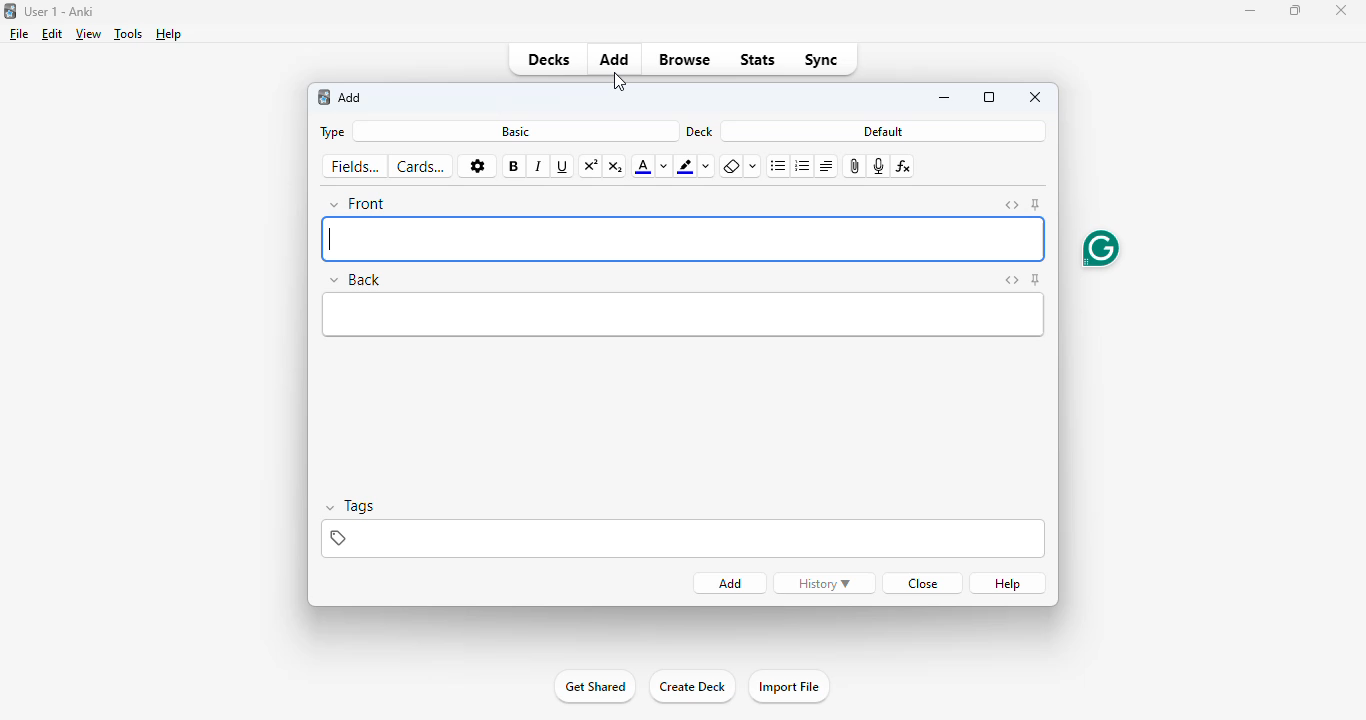 This screenshot has width=1366, height=720. I want to click on deck, so click(700, 131).